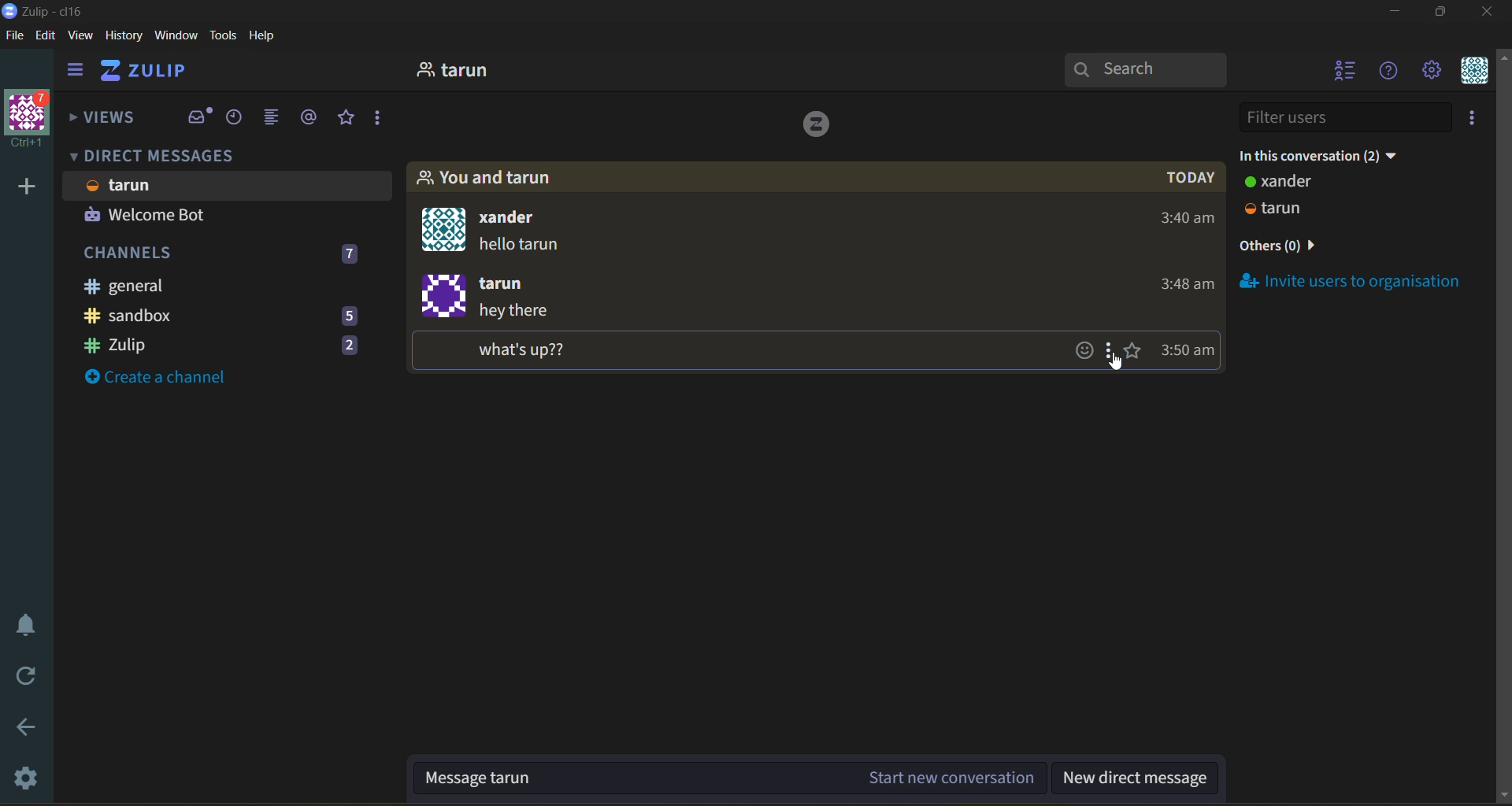 The image size is (1512, 806). I want to click on filter users, so click(1341, 117).